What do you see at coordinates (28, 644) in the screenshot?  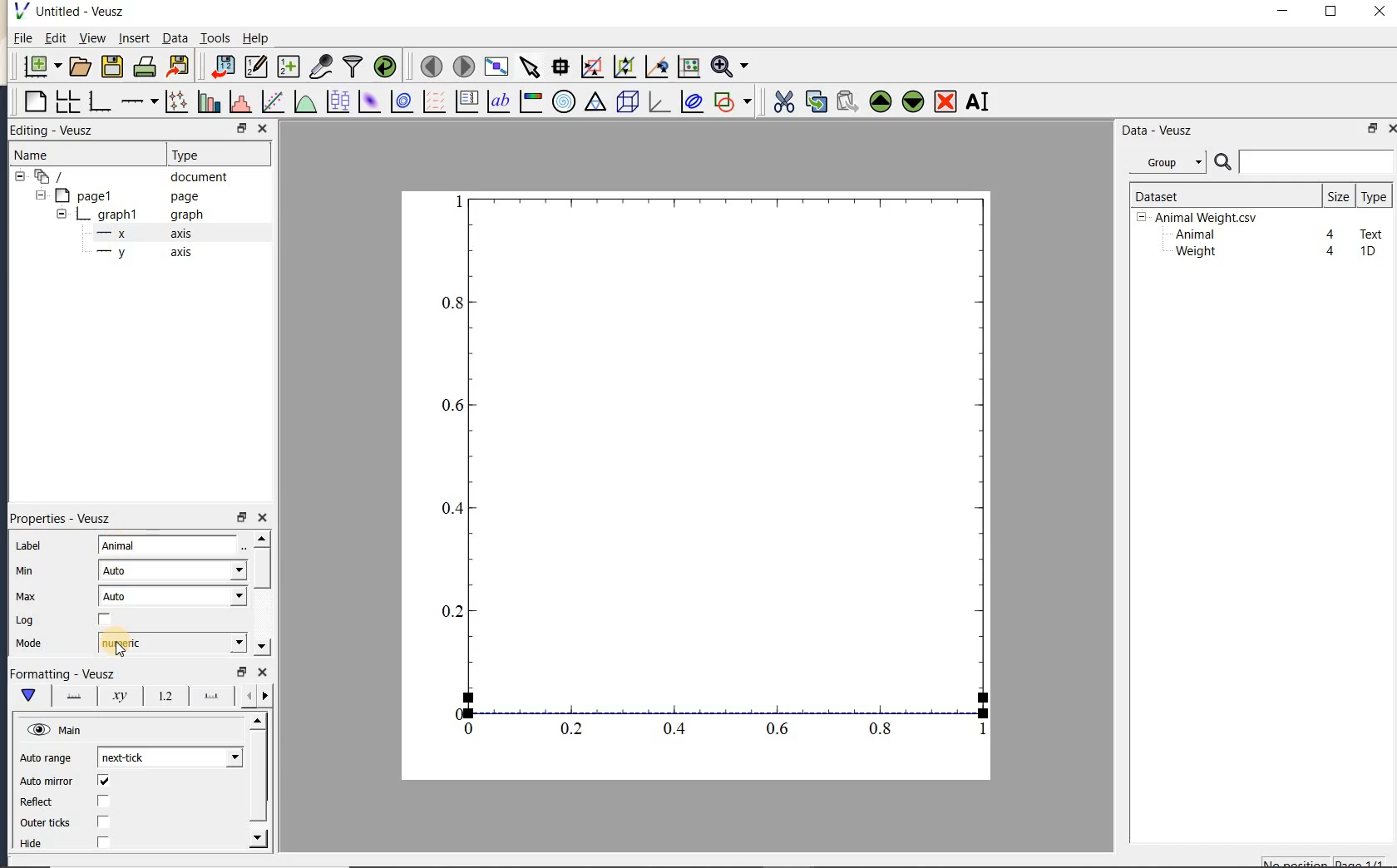 I see `Mode` at bounding box center [28, 644].